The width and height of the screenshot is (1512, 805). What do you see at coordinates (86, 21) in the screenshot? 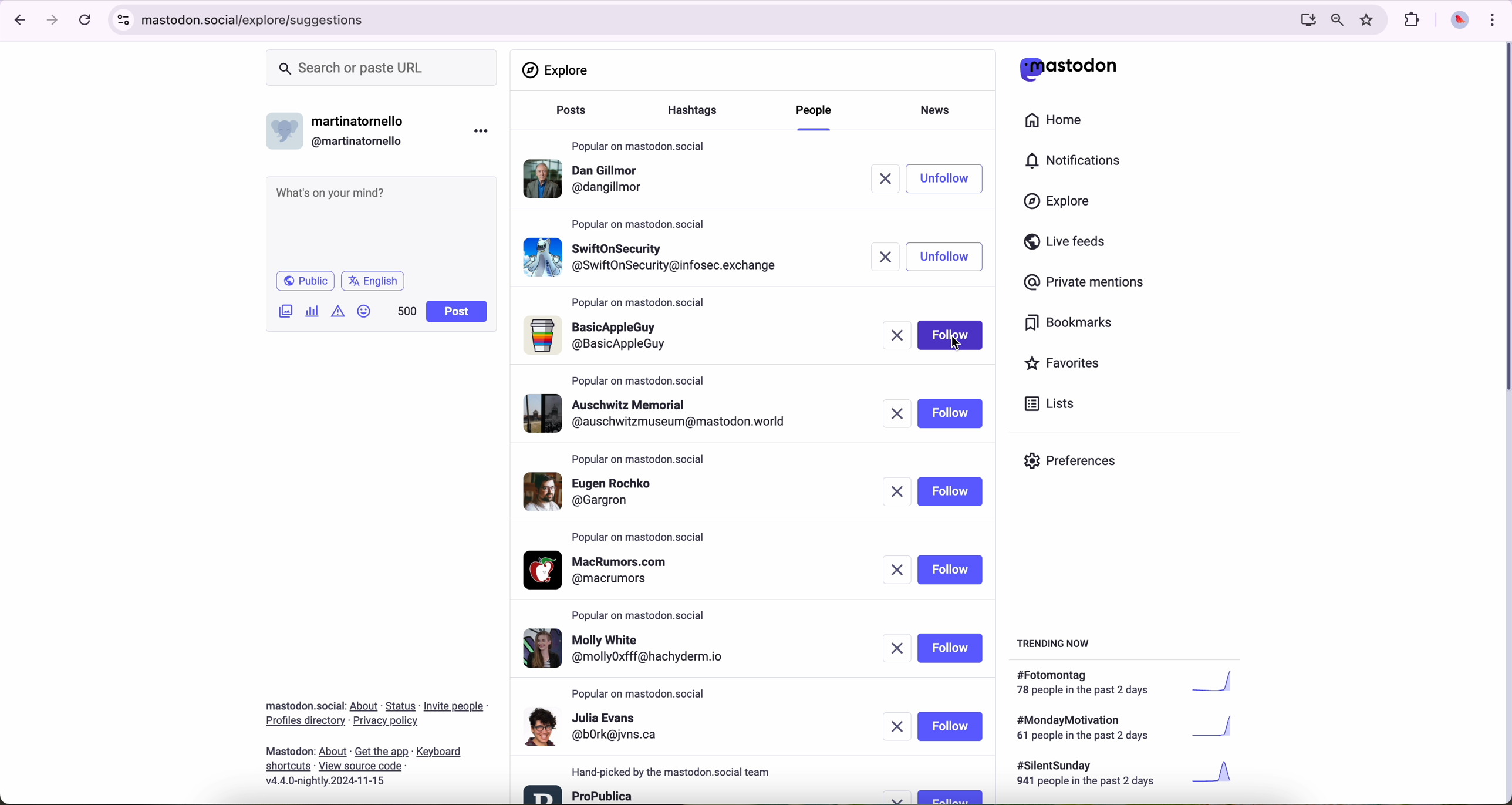
I see `refresh page` at bounding box center [86, 21].